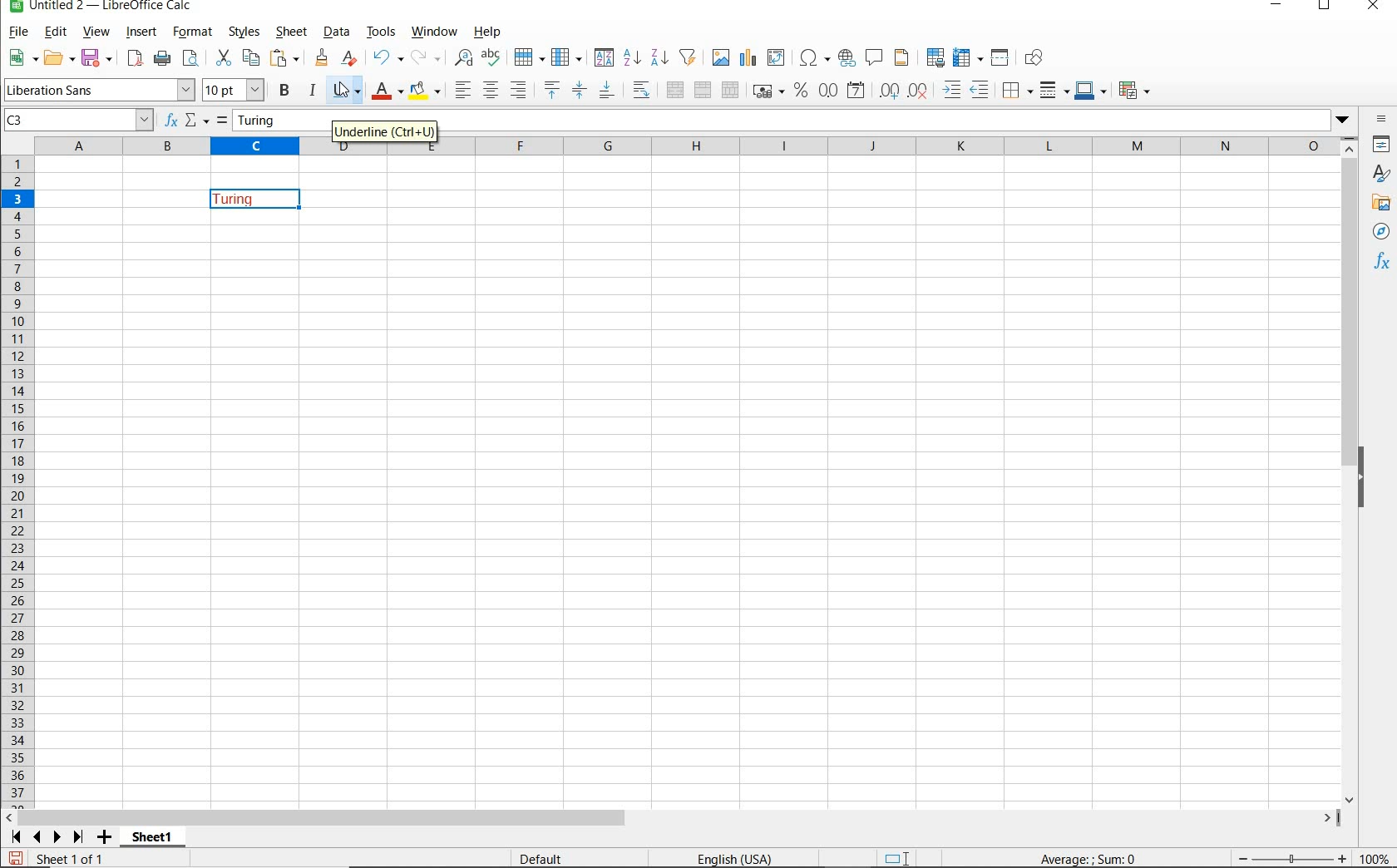 This screenshot has width=1397, height=868. Describe the element at coordinates (22, 58) in the screenshot. I see `NEW` at that location.